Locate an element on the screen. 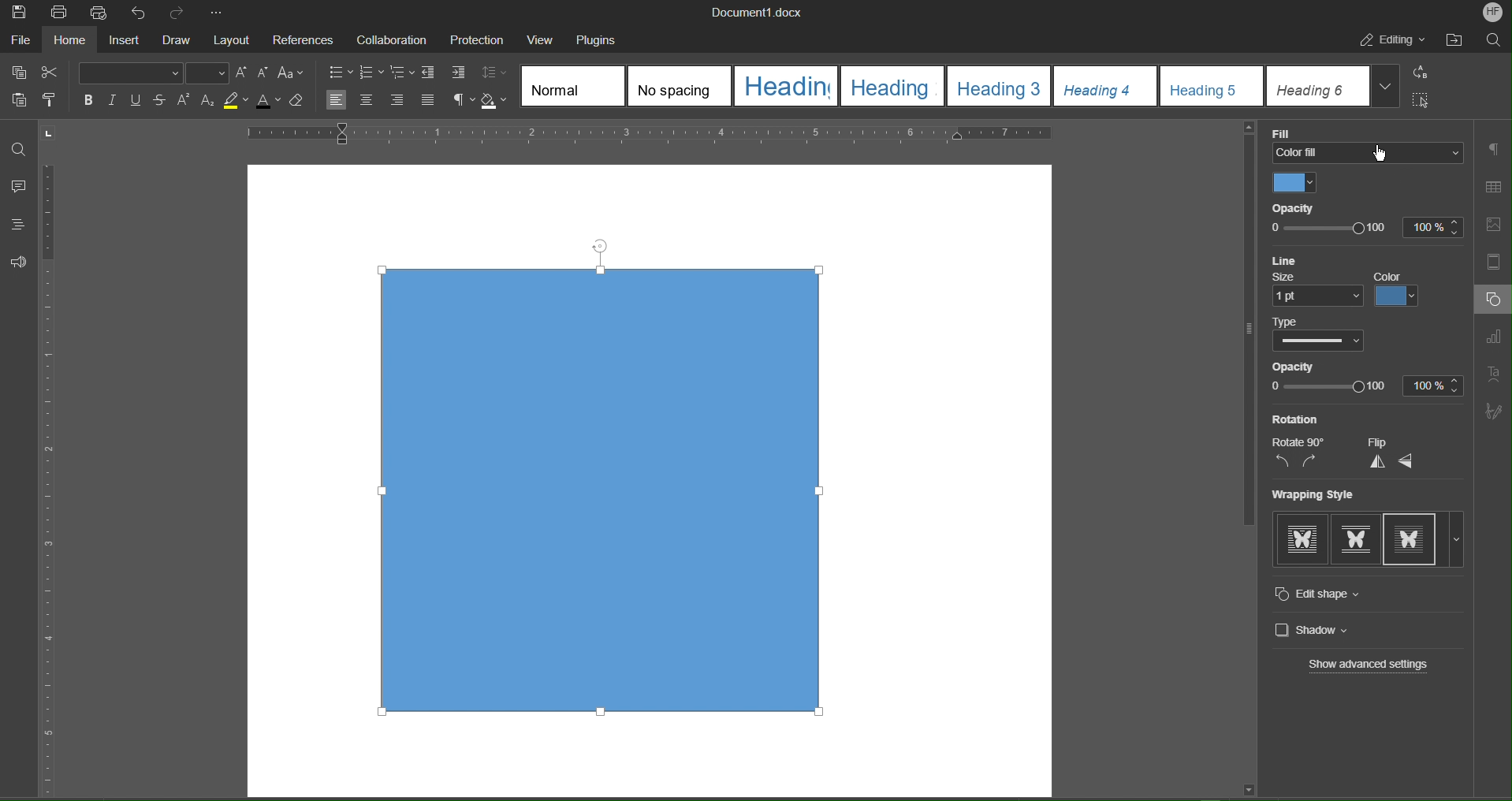  Horizontal Ruler is located at coordinates (657, 133).